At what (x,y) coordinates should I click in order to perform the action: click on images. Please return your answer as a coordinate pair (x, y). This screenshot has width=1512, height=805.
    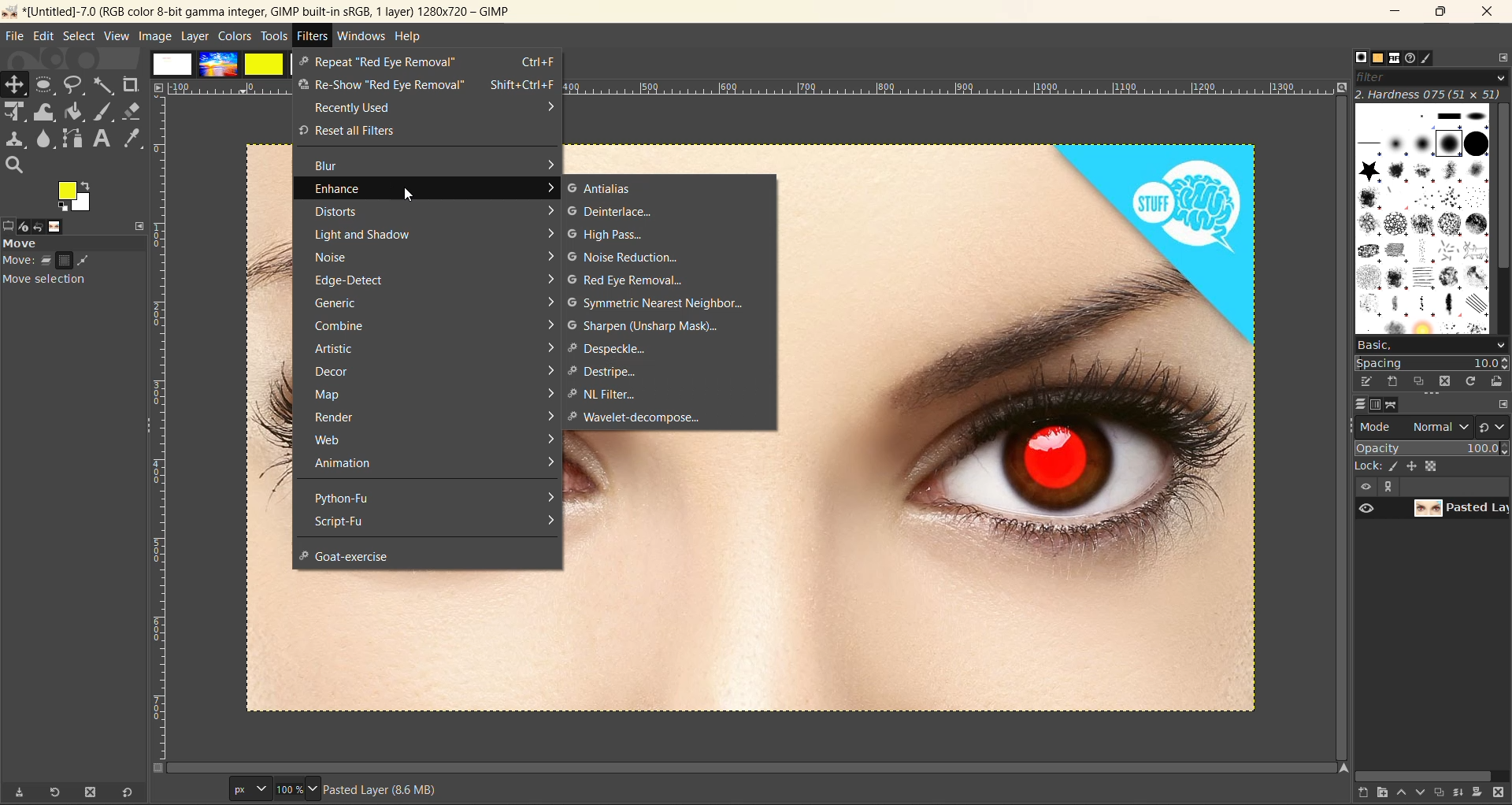
    Looking at the image, I should click on (216, 65).